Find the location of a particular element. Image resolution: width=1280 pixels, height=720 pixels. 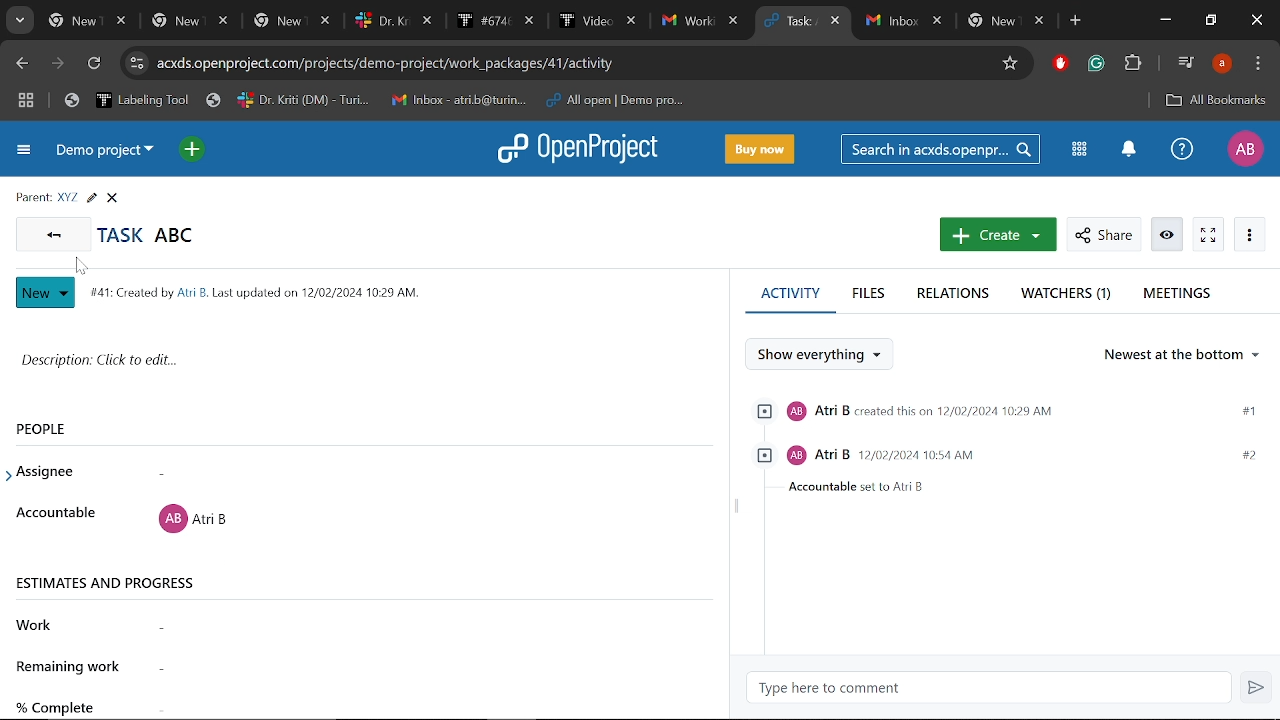

scroll bar is located at coordinates (721, 415).